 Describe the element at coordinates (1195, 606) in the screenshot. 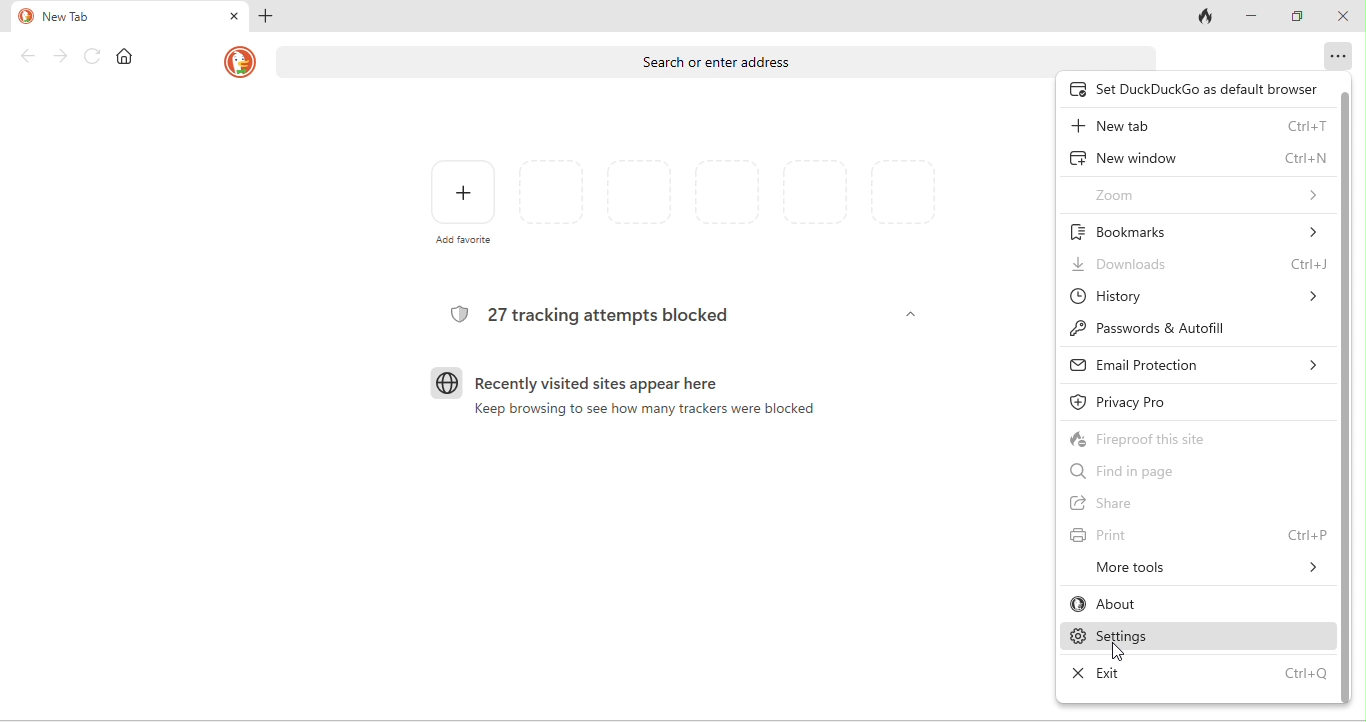

I see `about` at that location.